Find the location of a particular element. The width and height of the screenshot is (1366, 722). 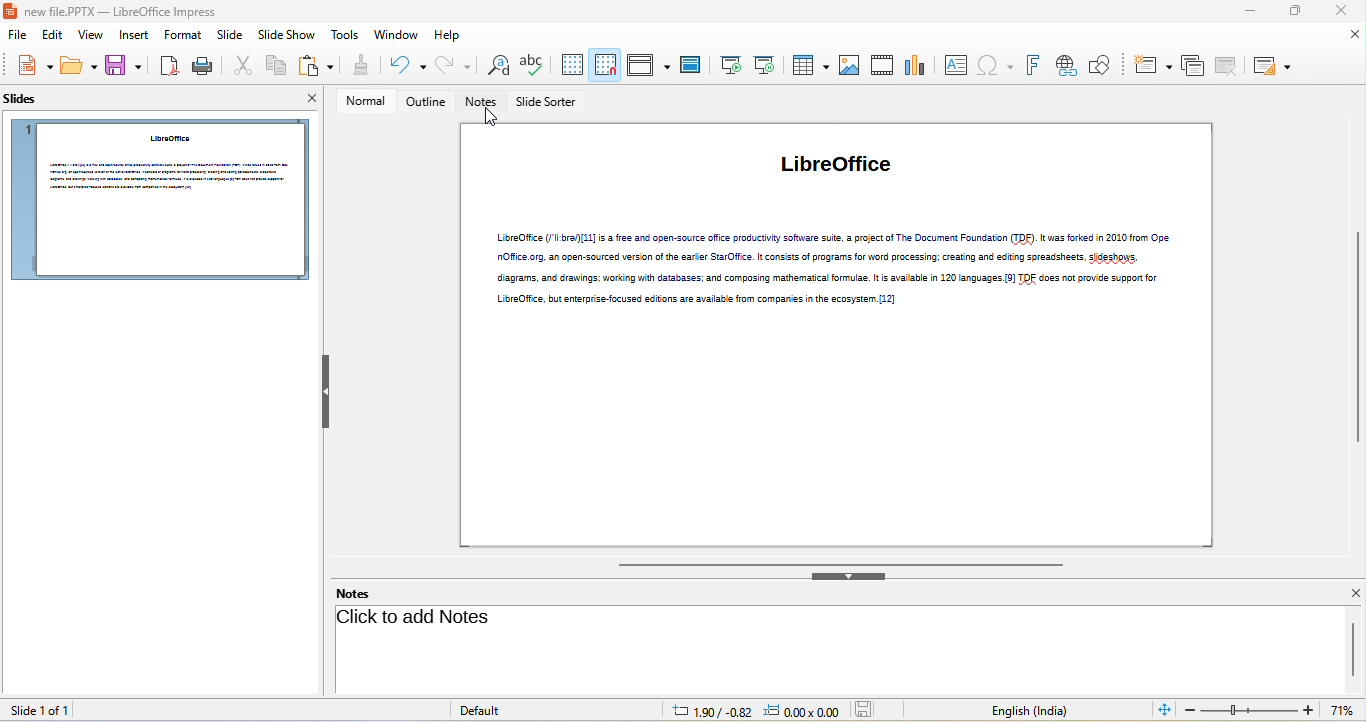

the document has not been modified since the last save is located at coordinates (869, 710).